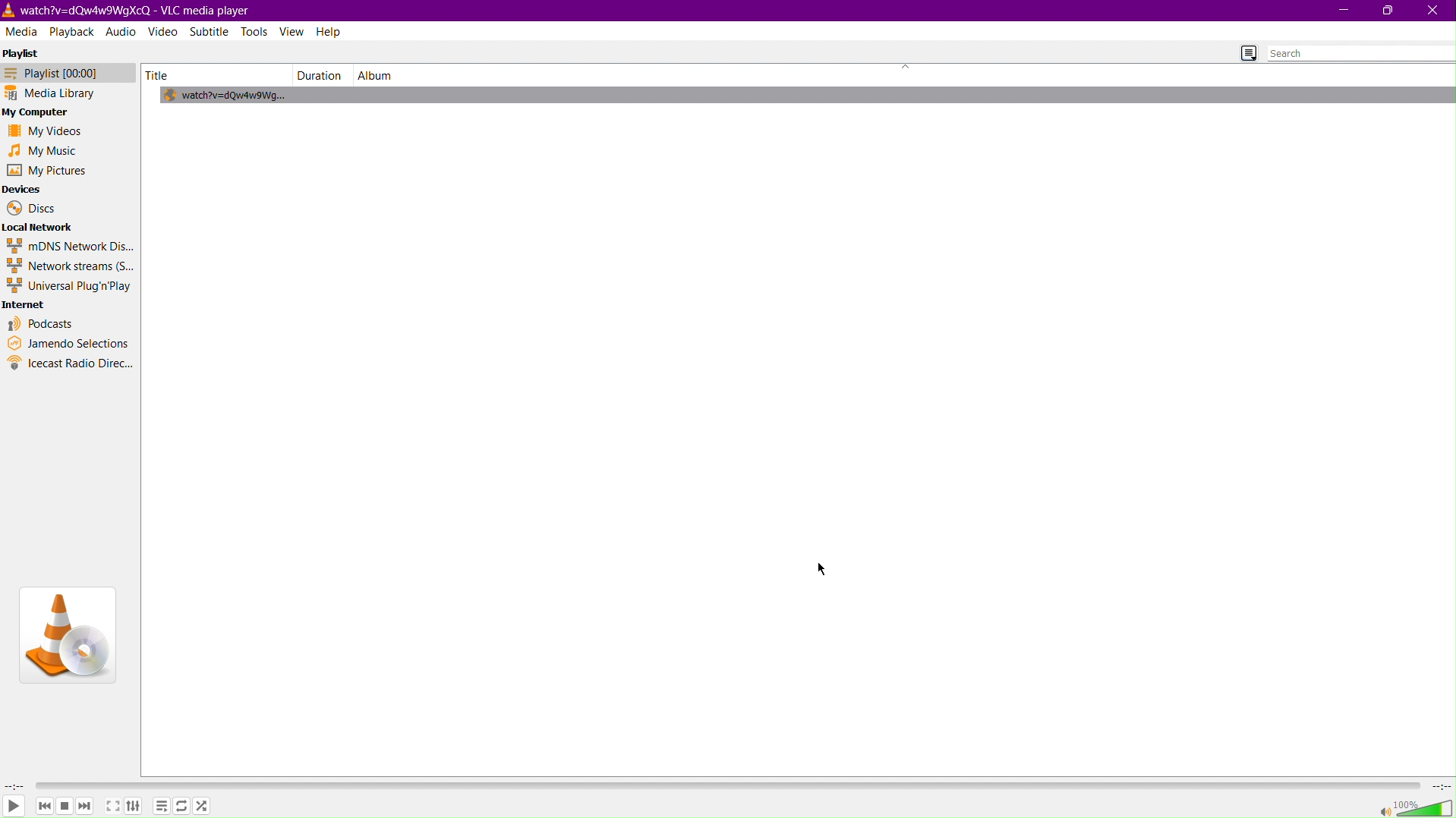 The image size is (1456, 818). Describe the element at coordinates (166, 75) in the screenshot. I see `Title` at that location.